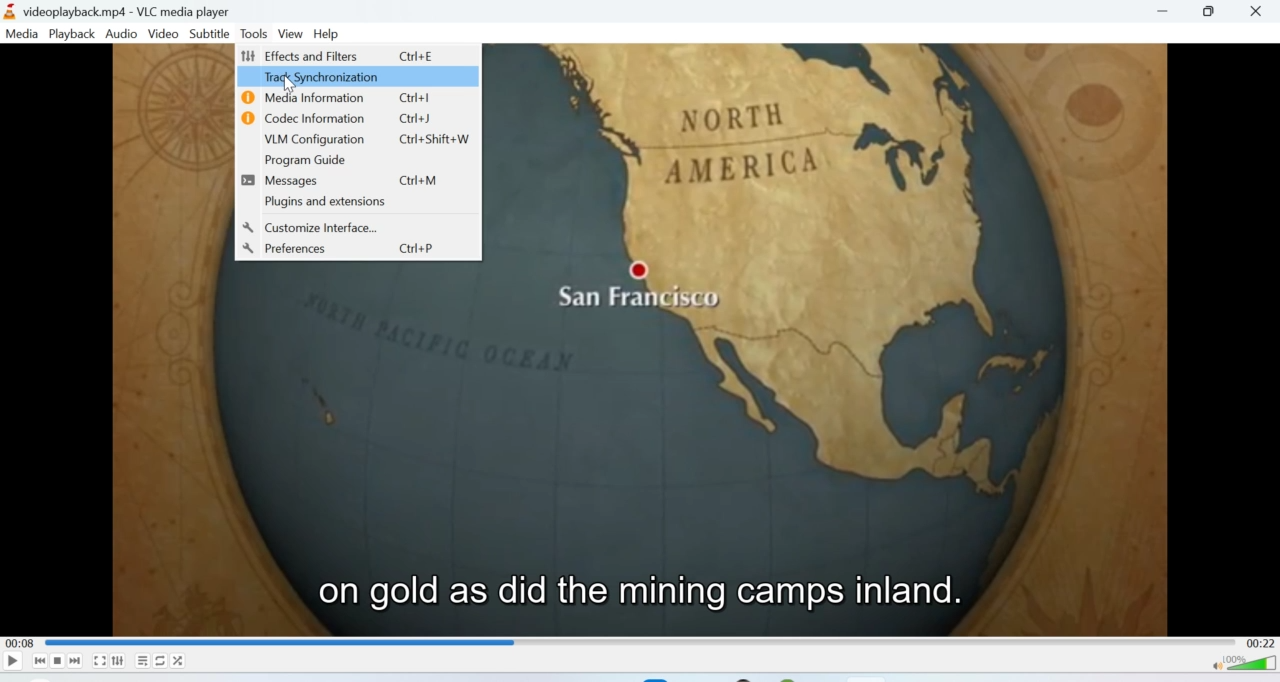 The height and width of the screenshot is (682, 1280). What do you see at coordinates (645, 642) in the screenshot?
I see `Playbar` at bounding box center [645, 642].